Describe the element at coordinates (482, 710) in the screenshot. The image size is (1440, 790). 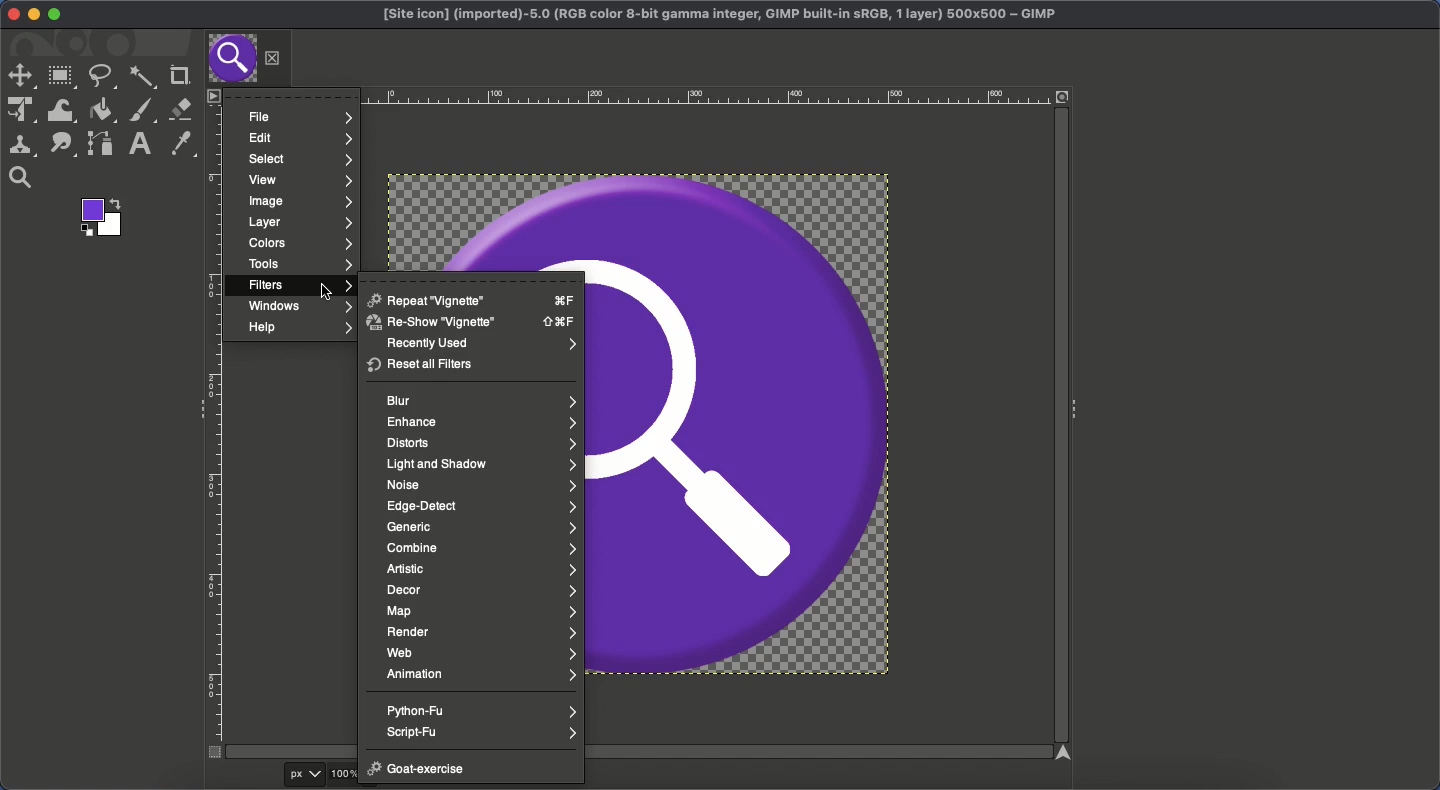
I see `Python-fu` at that location.